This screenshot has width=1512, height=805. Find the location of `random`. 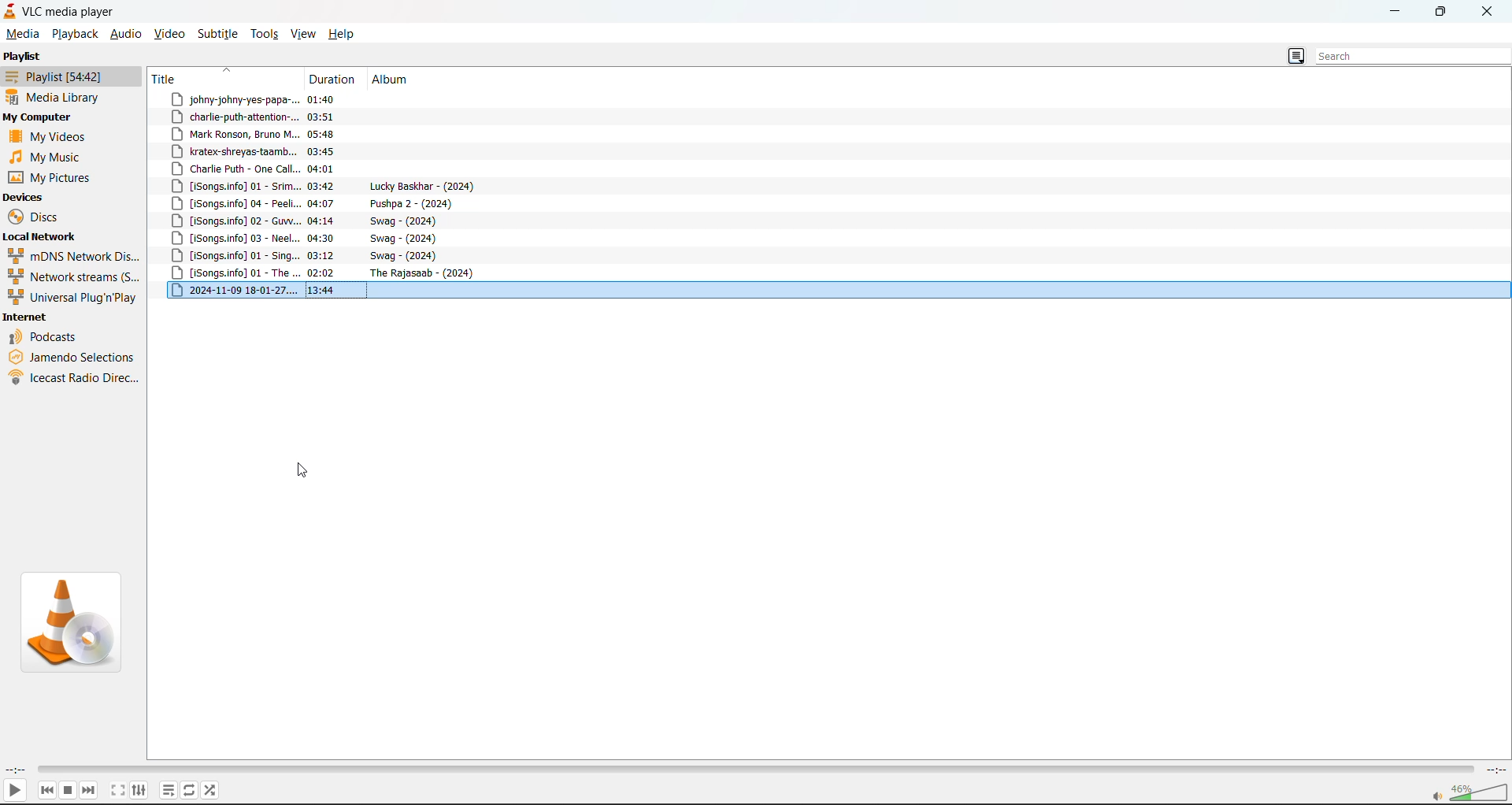

random is located at coordinates (210, 790).